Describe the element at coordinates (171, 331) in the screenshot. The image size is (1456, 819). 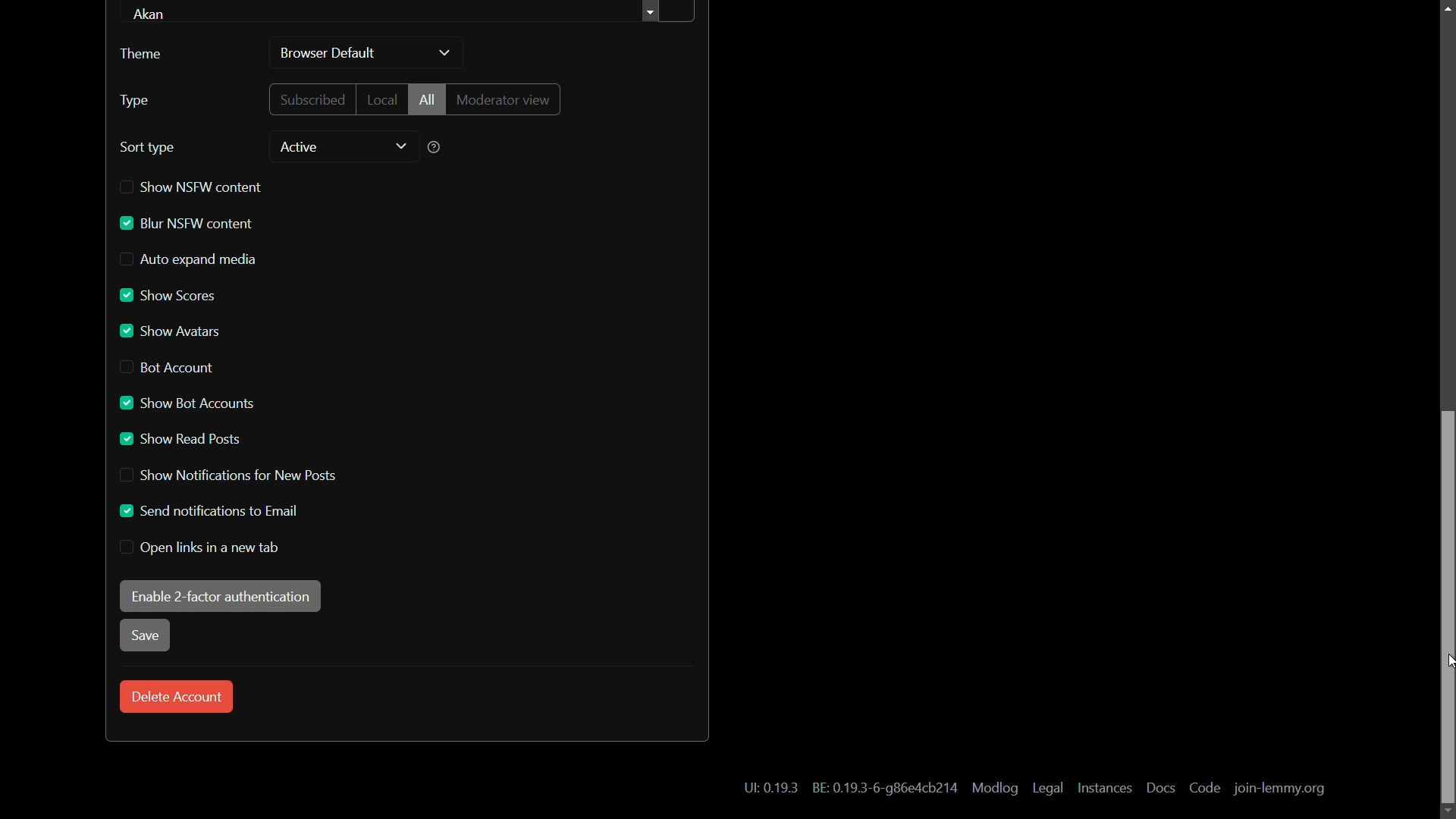
I see `show avatars` at that location.